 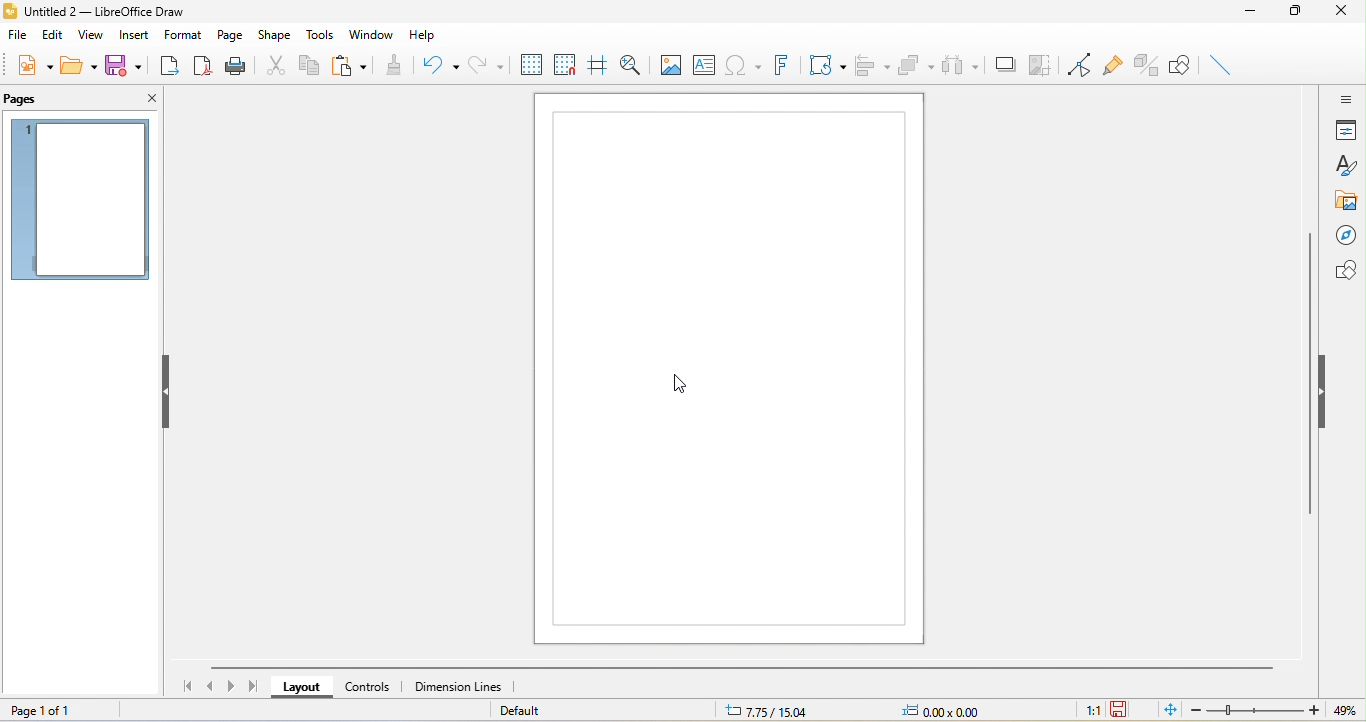 What do you see at coordinates (210, 686) in the screenshot?
I see `previous page` at bounding box center [210, 686].